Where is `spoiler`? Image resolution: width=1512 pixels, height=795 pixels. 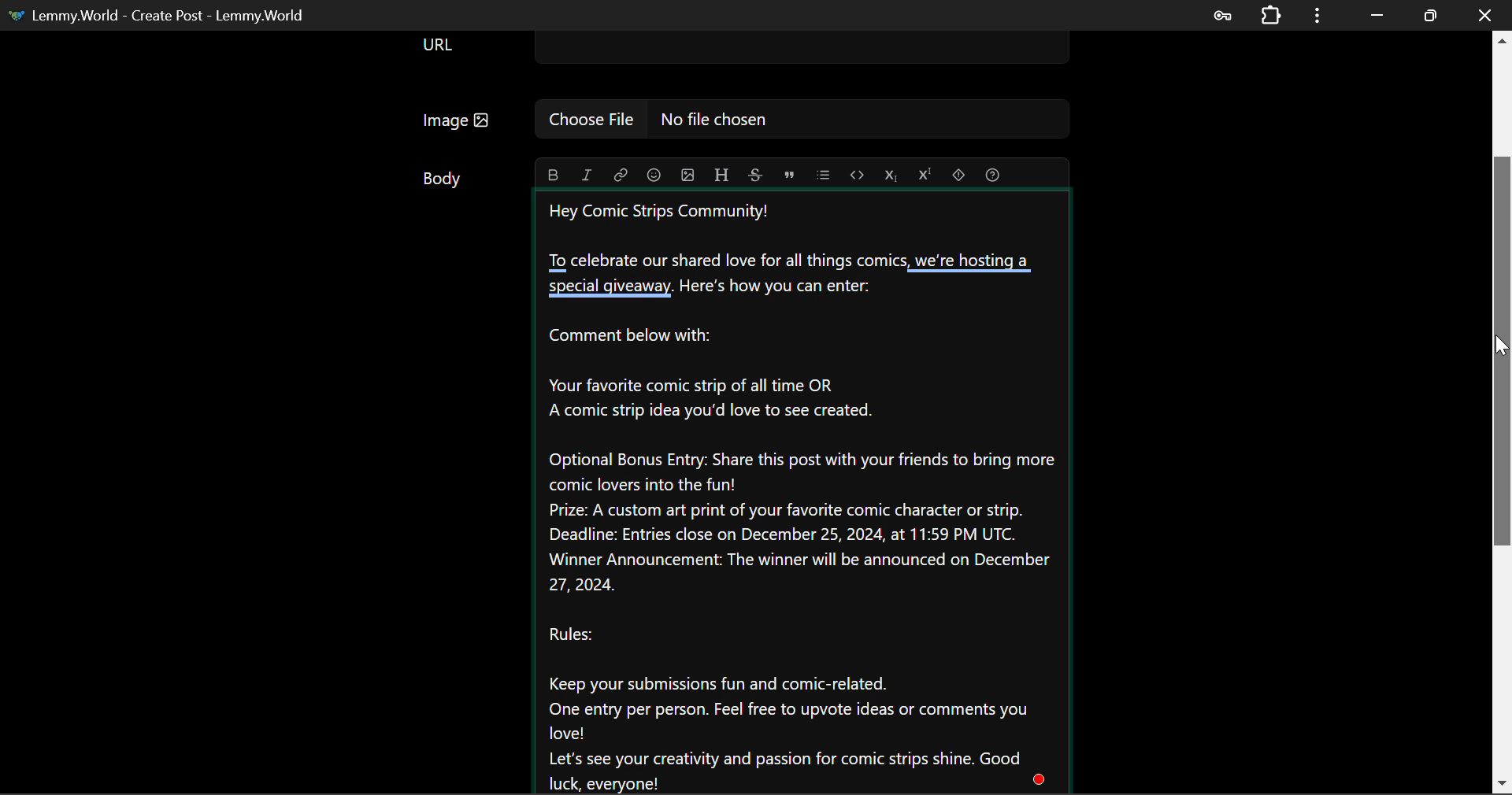 spoiler is located at coordinates (958, 173).